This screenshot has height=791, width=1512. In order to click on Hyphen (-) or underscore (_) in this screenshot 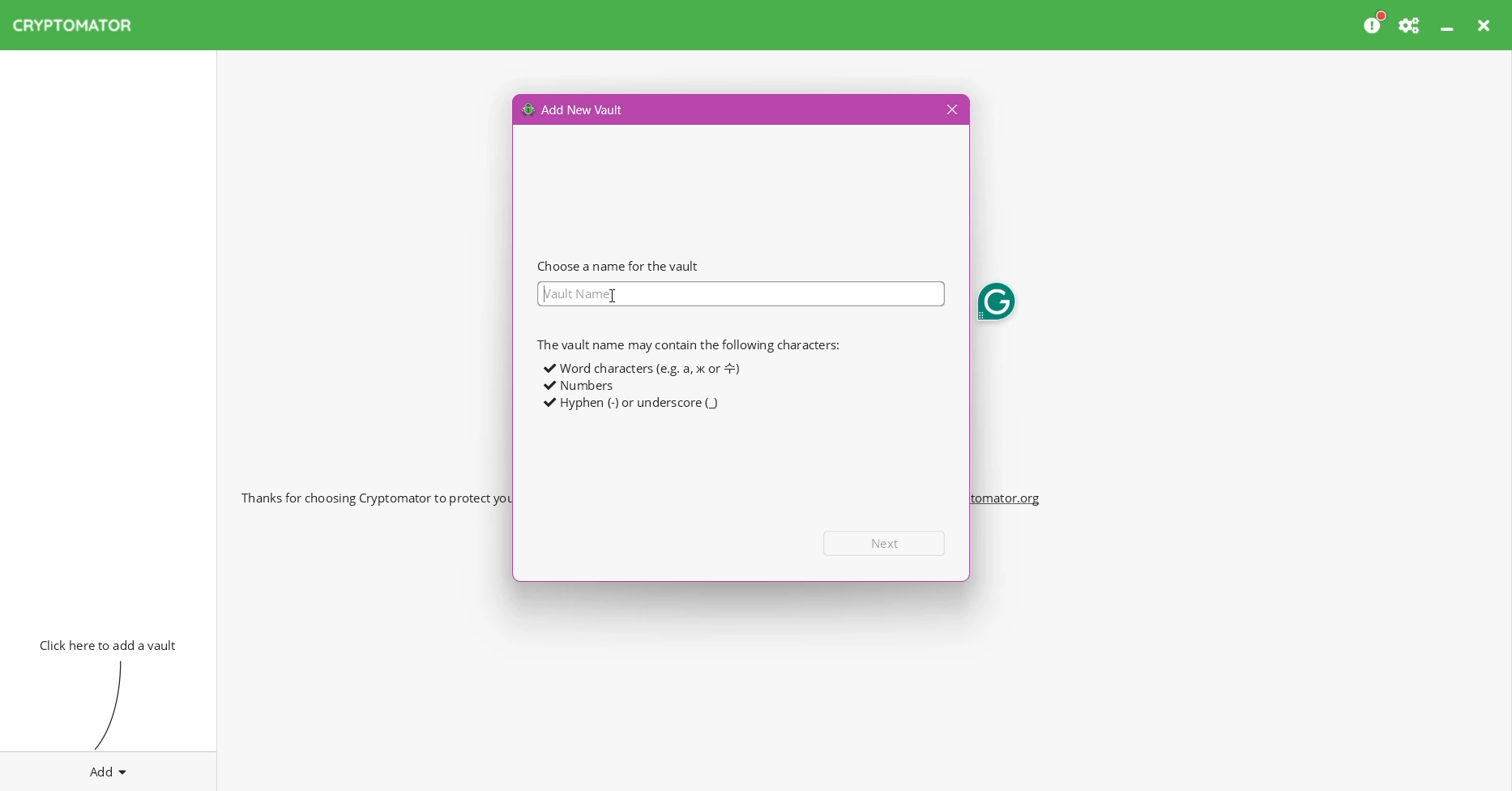, I will do `click(631, 404)`.